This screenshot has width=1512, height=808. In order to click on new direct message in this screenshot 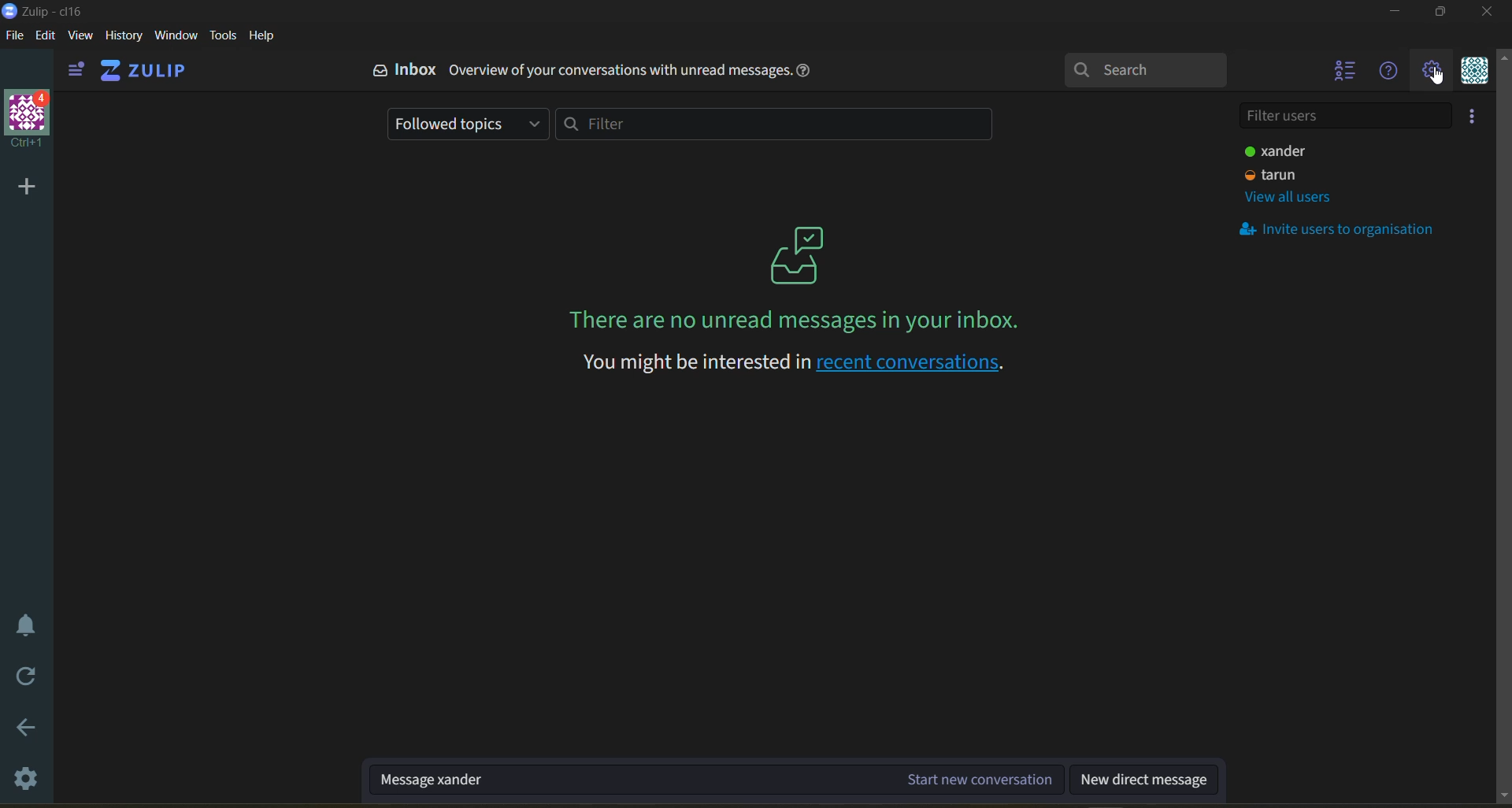, I will do `click(1146, 780)`.